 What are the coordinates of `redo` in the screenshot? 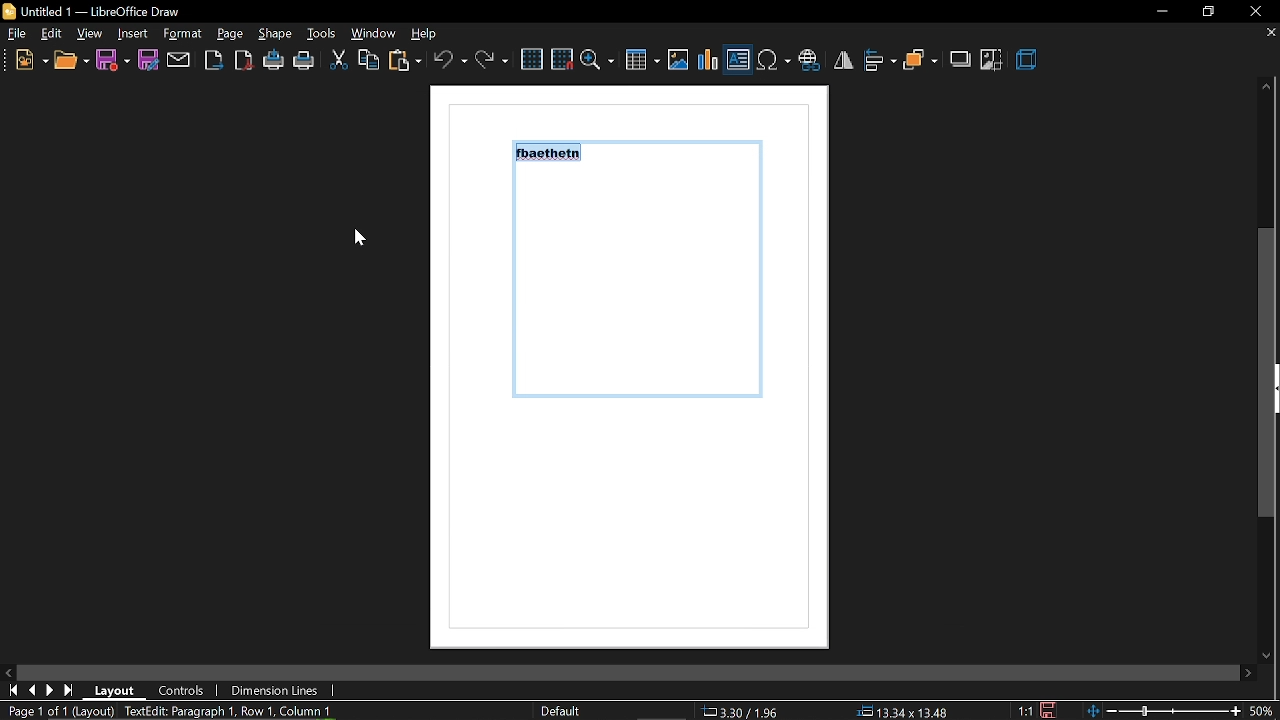 It's located at (491, 60).